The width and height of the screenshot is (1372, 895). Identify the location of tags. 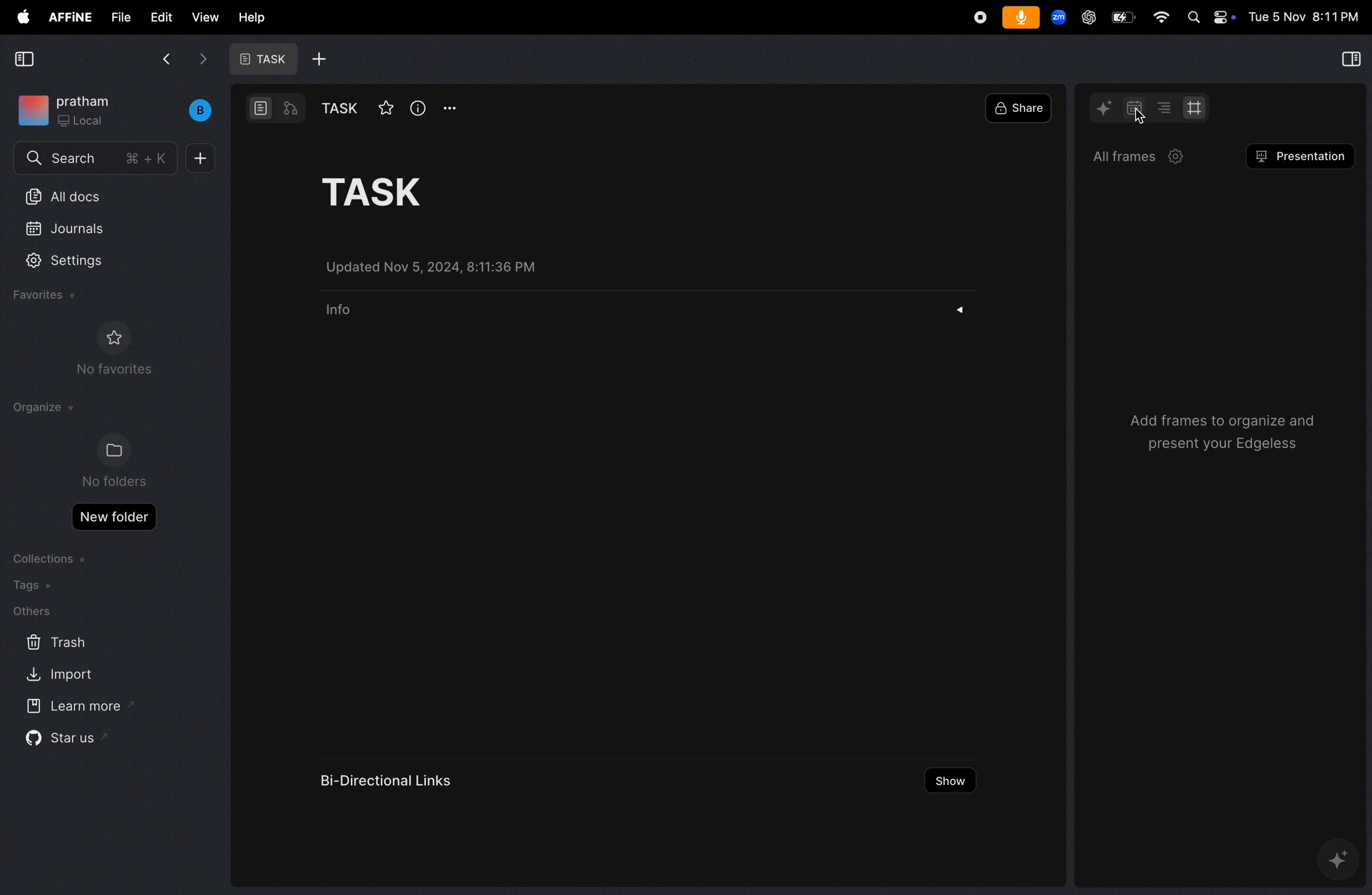
(36, 586).